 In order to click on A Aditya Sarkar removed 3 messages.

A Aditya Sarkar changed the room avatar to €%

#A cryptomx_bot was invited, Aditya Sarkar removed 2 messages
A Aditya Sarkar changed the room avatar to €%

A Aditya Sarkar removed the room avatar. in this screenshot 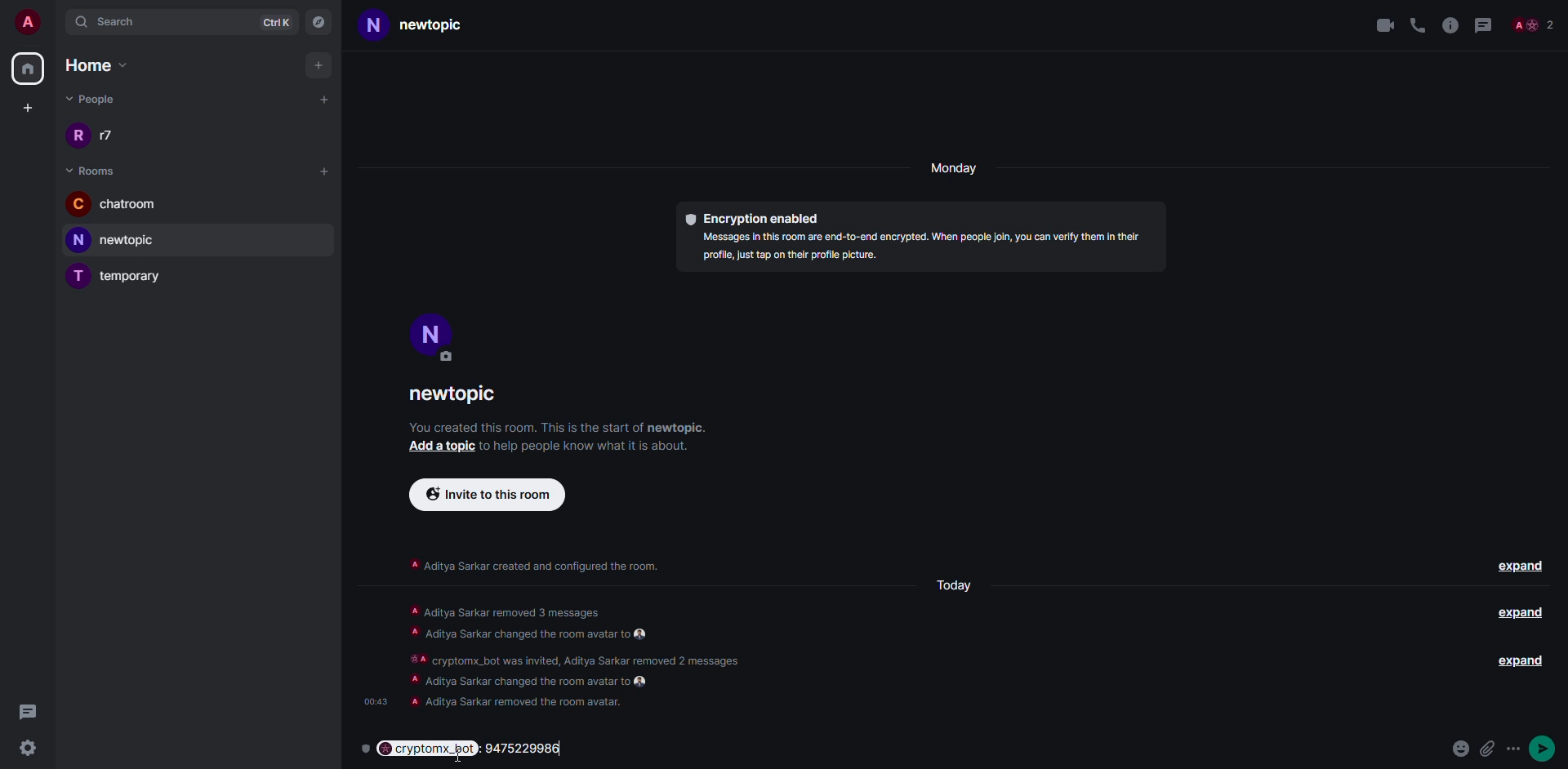, I will do `click(591, 655)`.